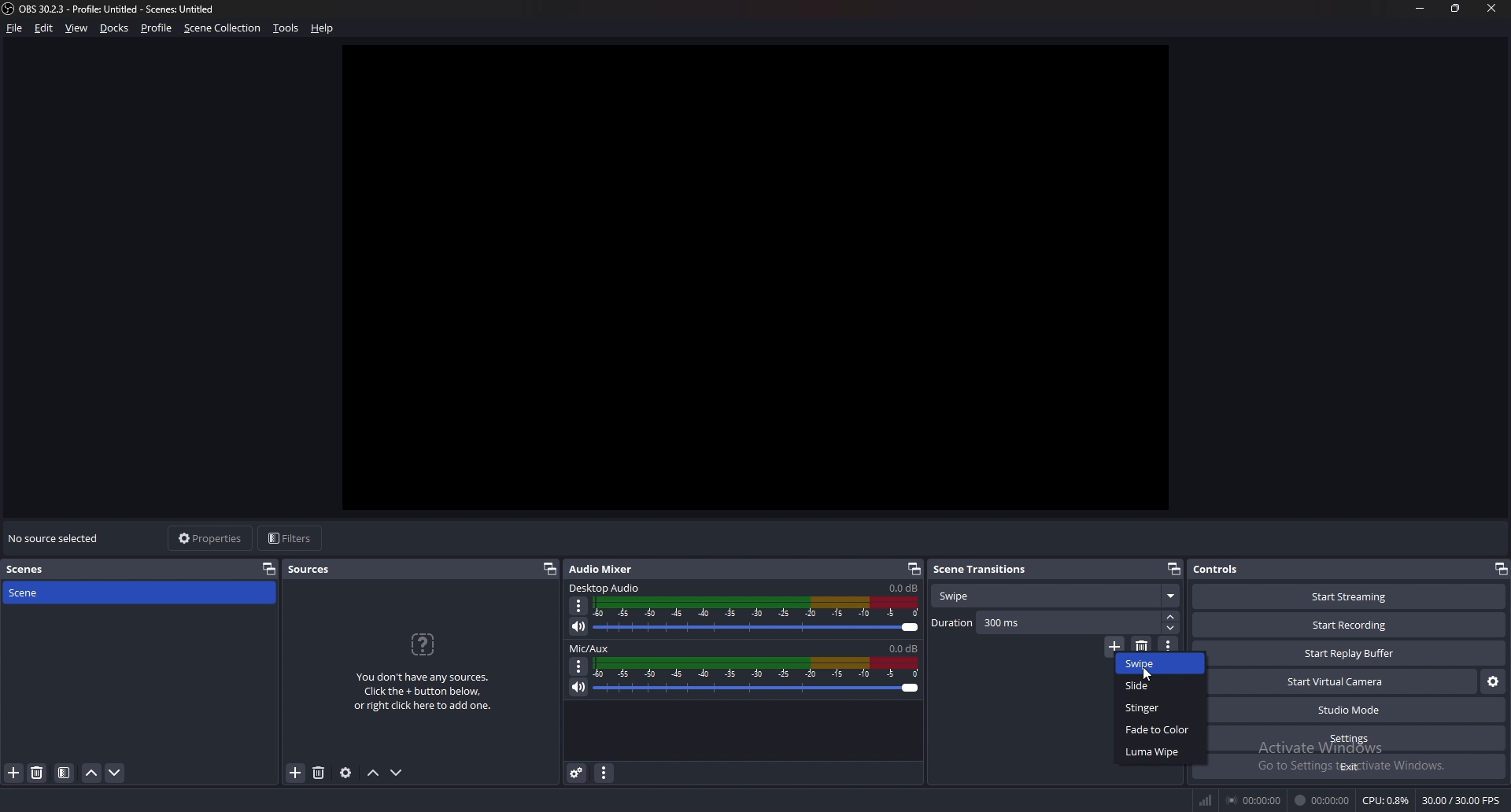 The width and height of the screenshot is (1511, 812). I want to click on move scene down, so click(115, 773).